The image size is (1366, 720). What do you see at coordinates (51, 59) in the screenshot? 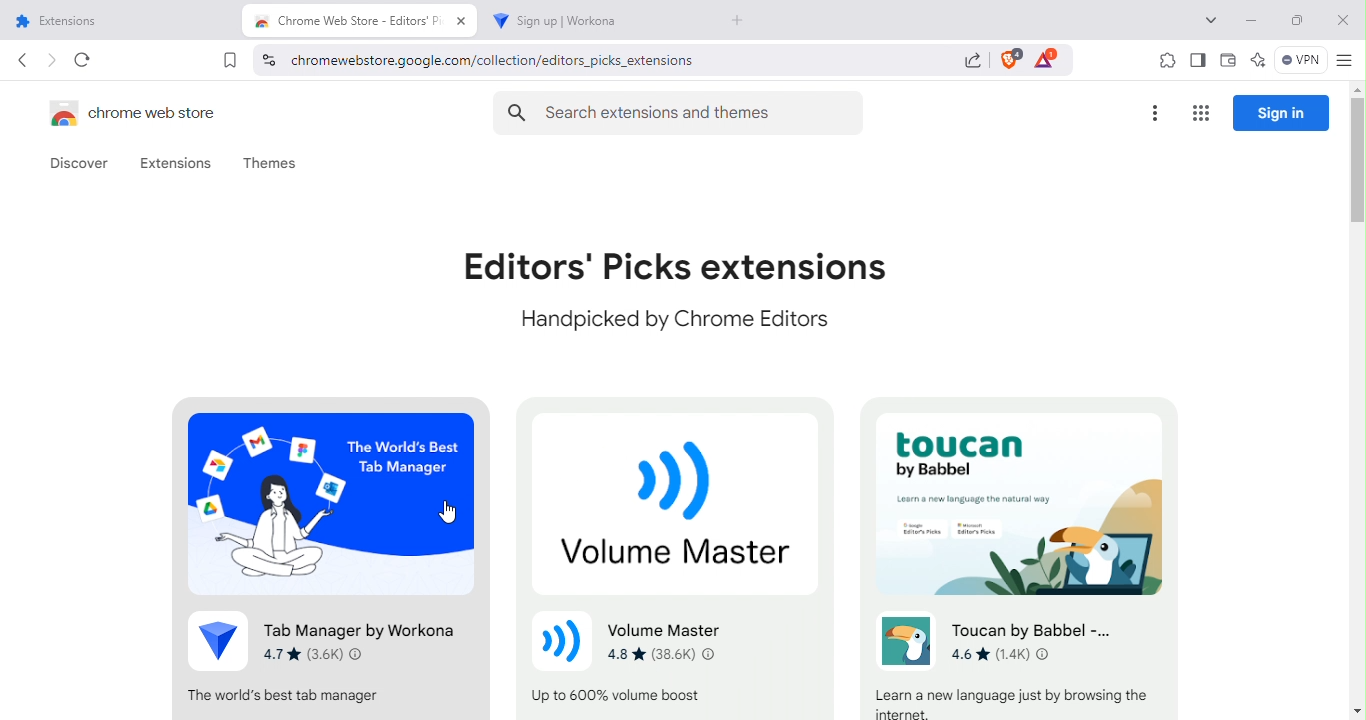
I see `Click to go forward` at bounding box center [51, 59].